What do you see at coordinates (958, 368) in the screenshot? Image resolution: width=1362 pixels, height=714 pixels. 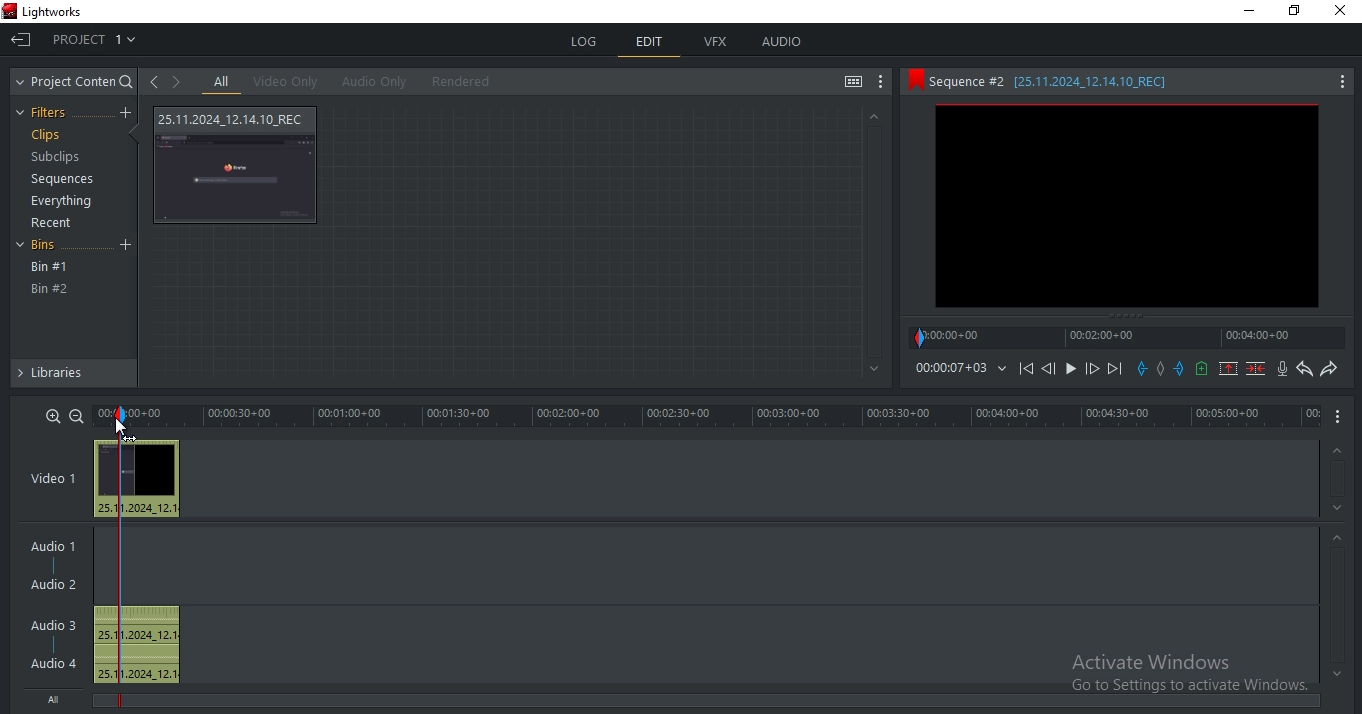 I see `time` at bounding box center [958, 368].